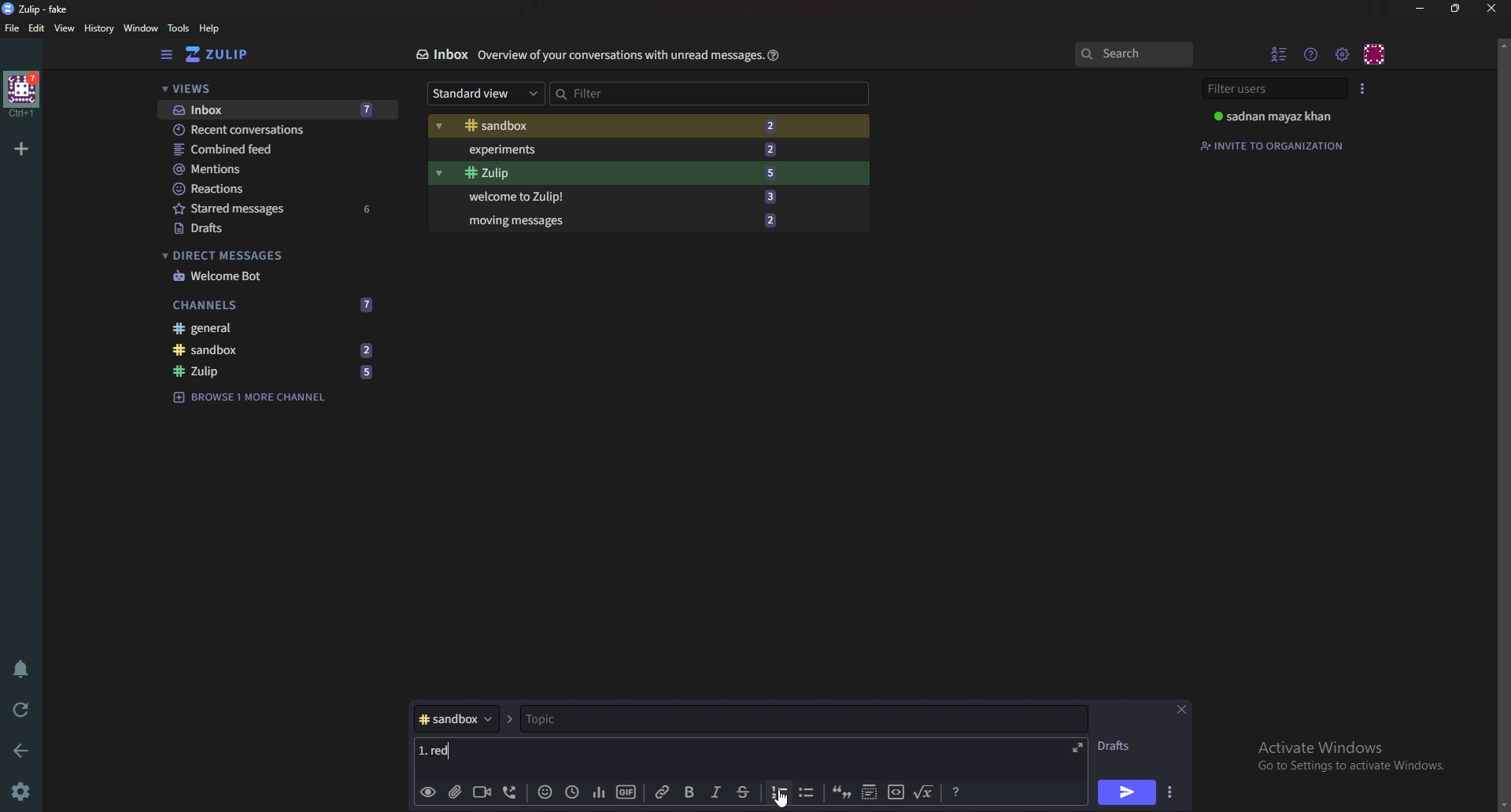 Image resolution: width=1511 pixels, height=812 pixels. What do you see at coordinates (228, 54) in the screenshot?
I see `Home view` at bounding box center [228, 54].